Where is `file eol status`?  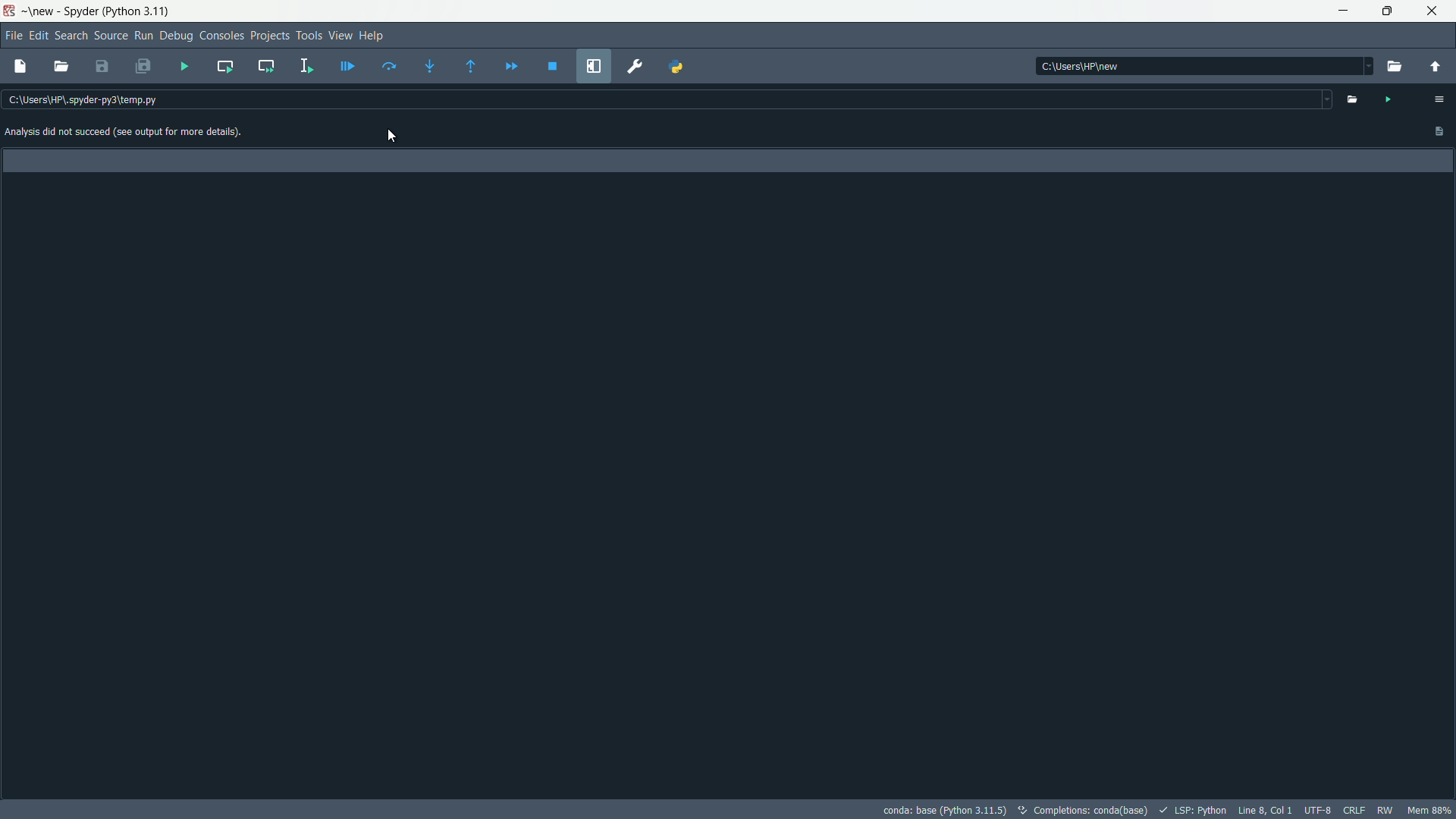 file eol status is located at coordinates (1354, 809).